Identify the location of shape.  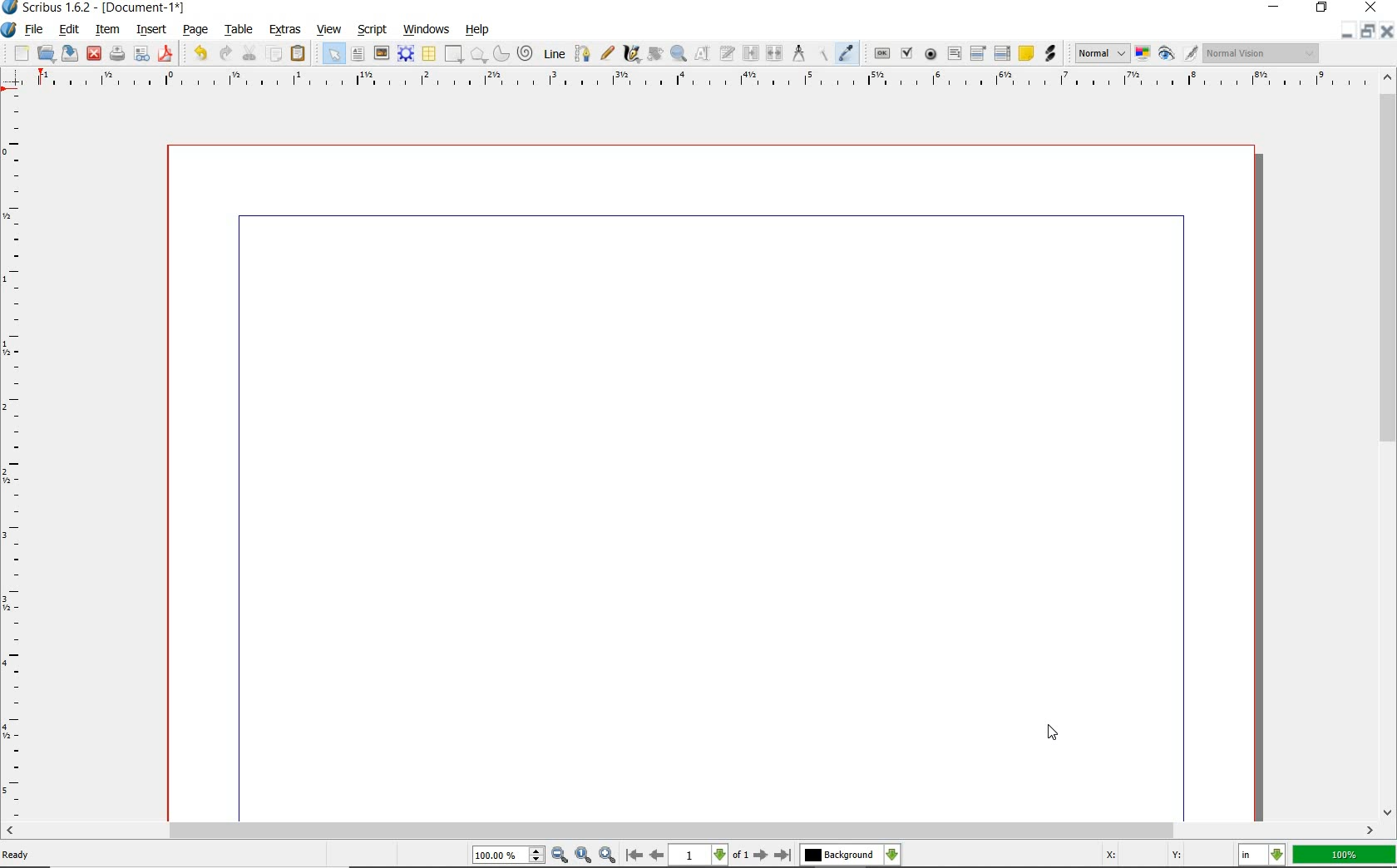
(455, 54).